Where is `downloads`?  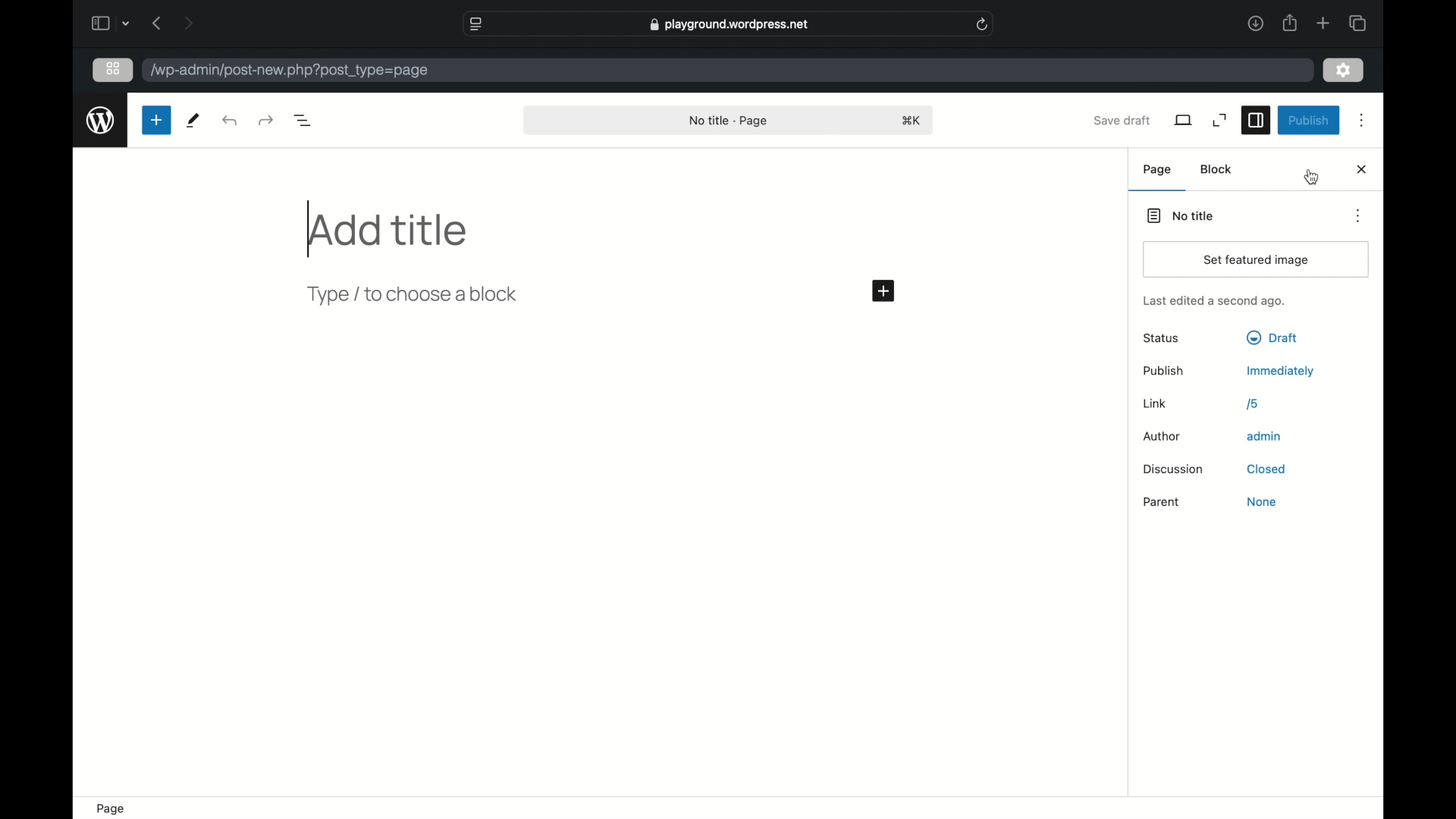 downloads is located at coordinates (1256, 24).